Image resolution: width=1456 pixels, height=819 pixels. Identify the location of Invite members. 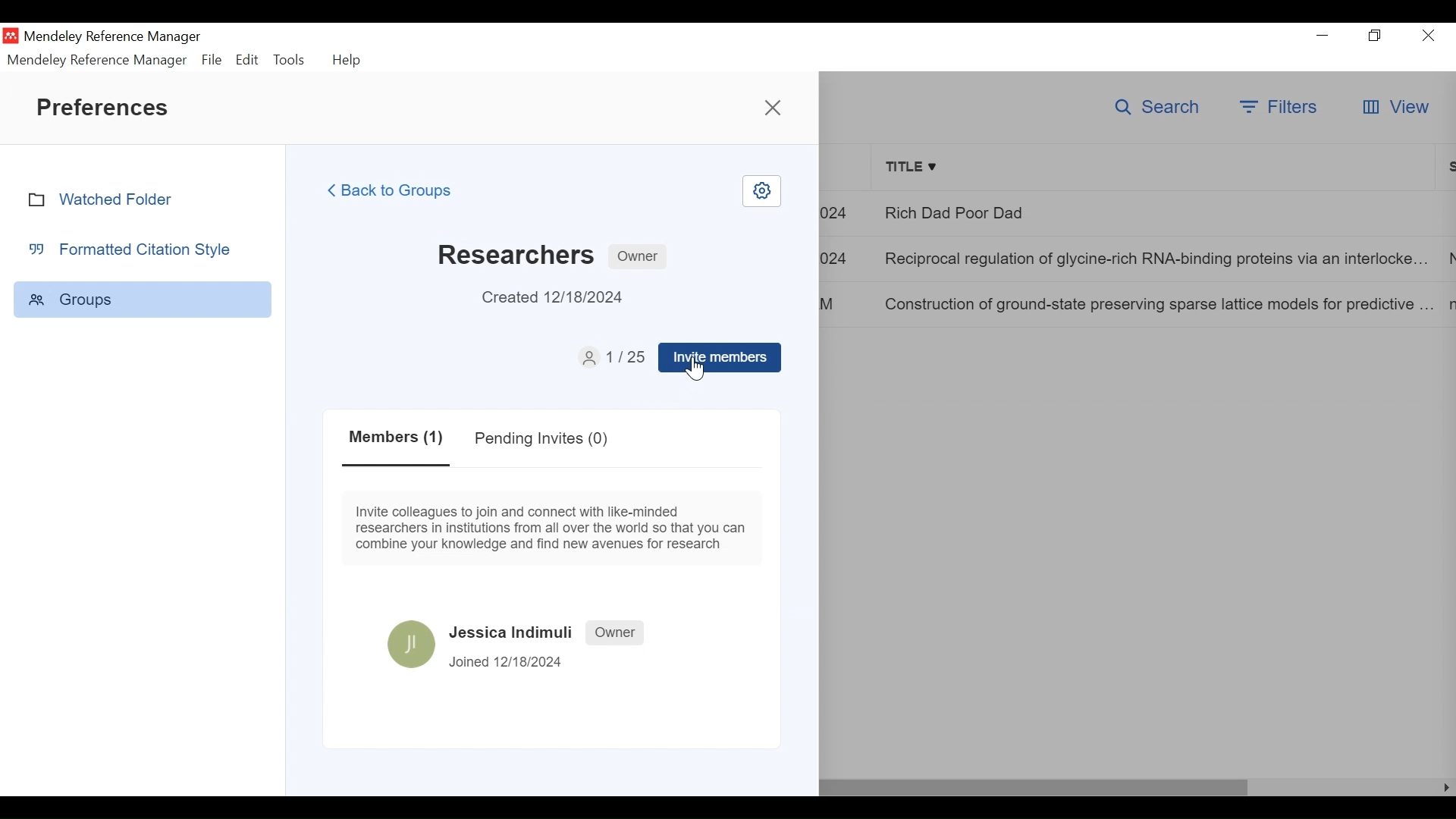
(720, 357).